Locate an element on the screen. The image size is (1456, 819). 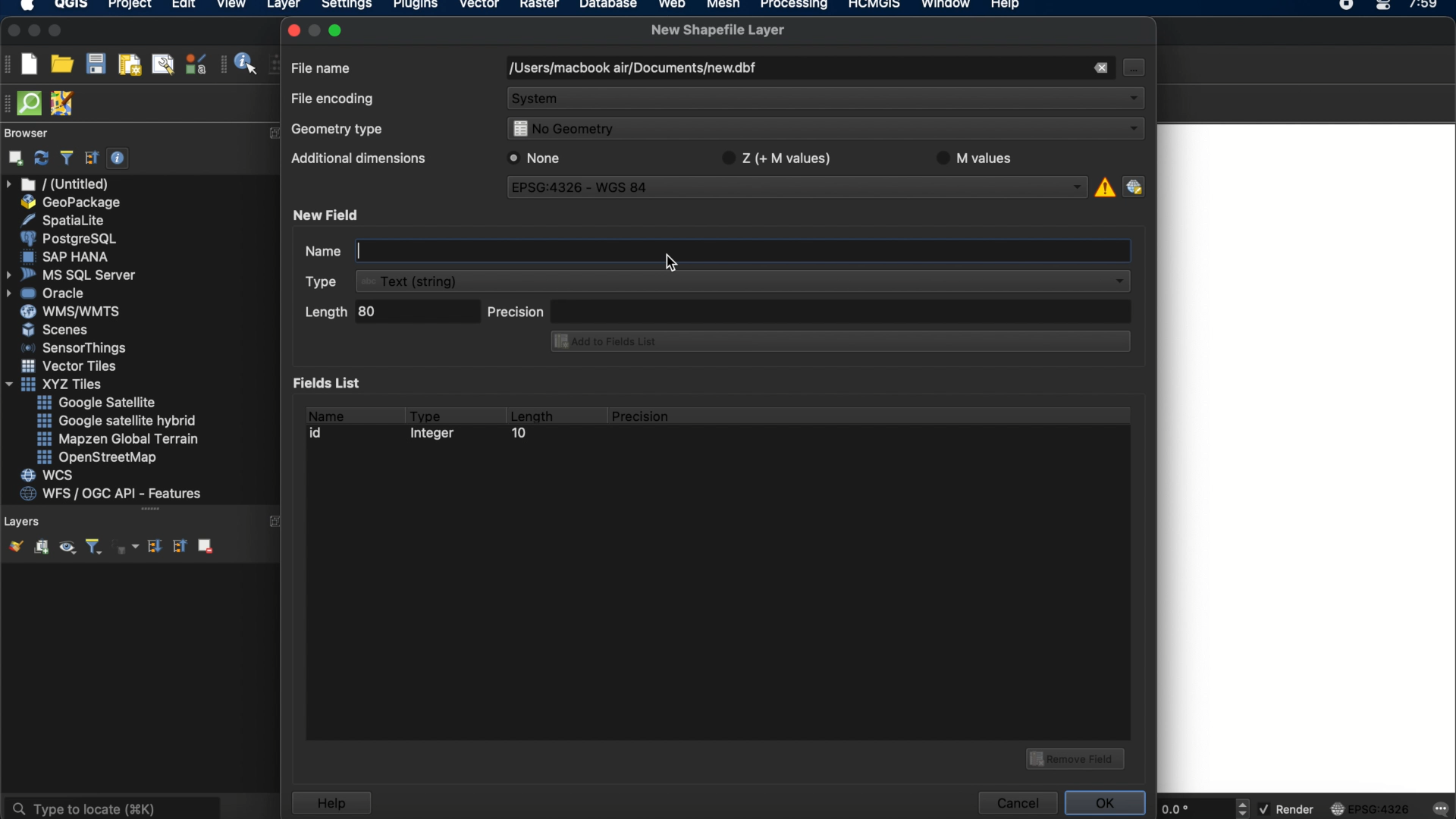
inactive add fields list icon is located at coordinates (838, 343).